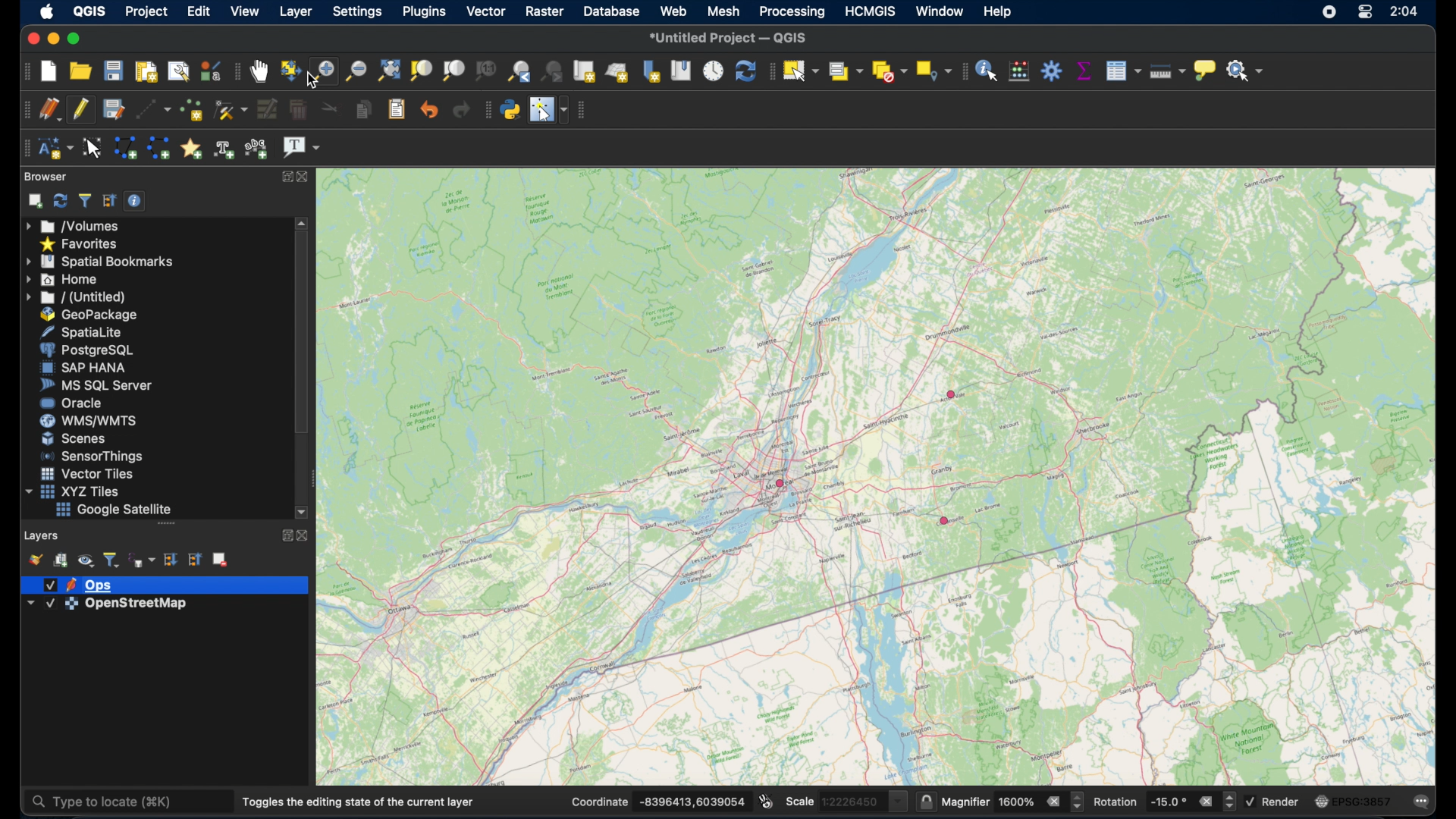  Describe the element at coordinates (199, 12) in the screenshot. I see `edit` at that location.